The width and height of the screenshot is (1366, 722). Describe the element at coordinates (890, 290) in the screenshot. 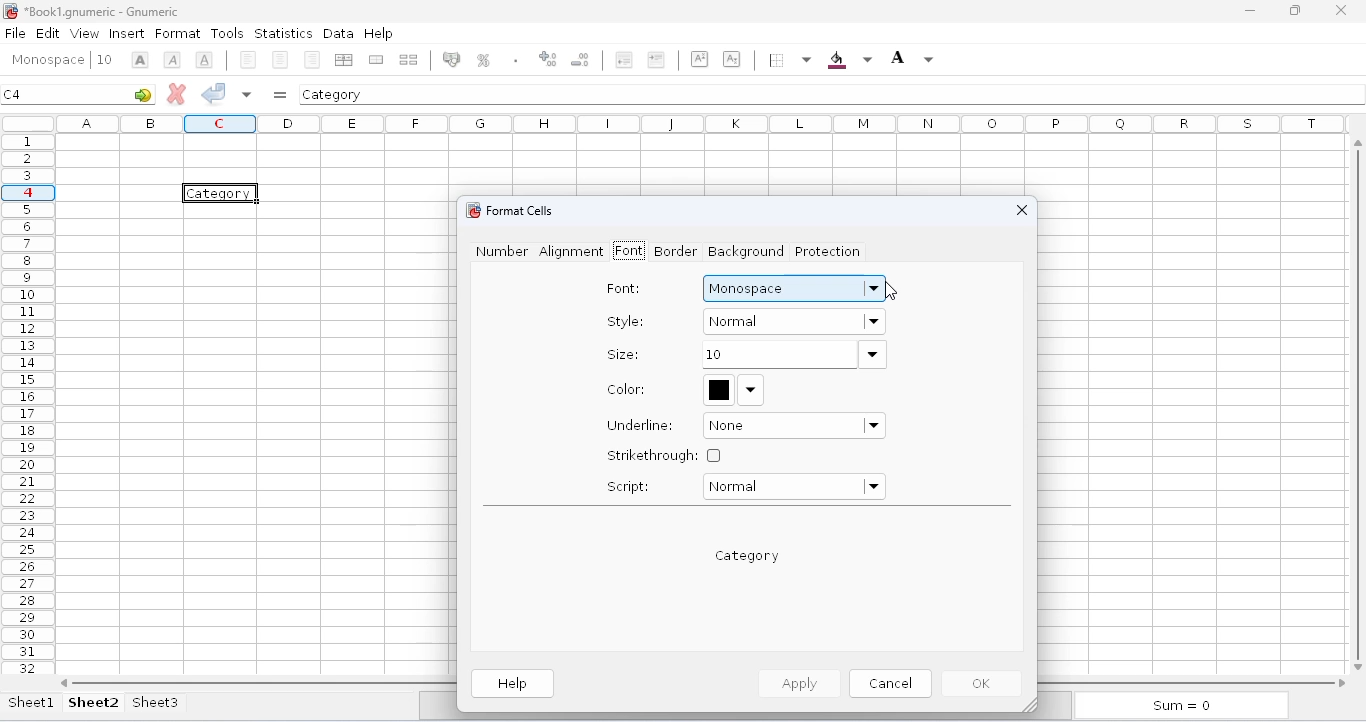

I see `cursor` at that location.